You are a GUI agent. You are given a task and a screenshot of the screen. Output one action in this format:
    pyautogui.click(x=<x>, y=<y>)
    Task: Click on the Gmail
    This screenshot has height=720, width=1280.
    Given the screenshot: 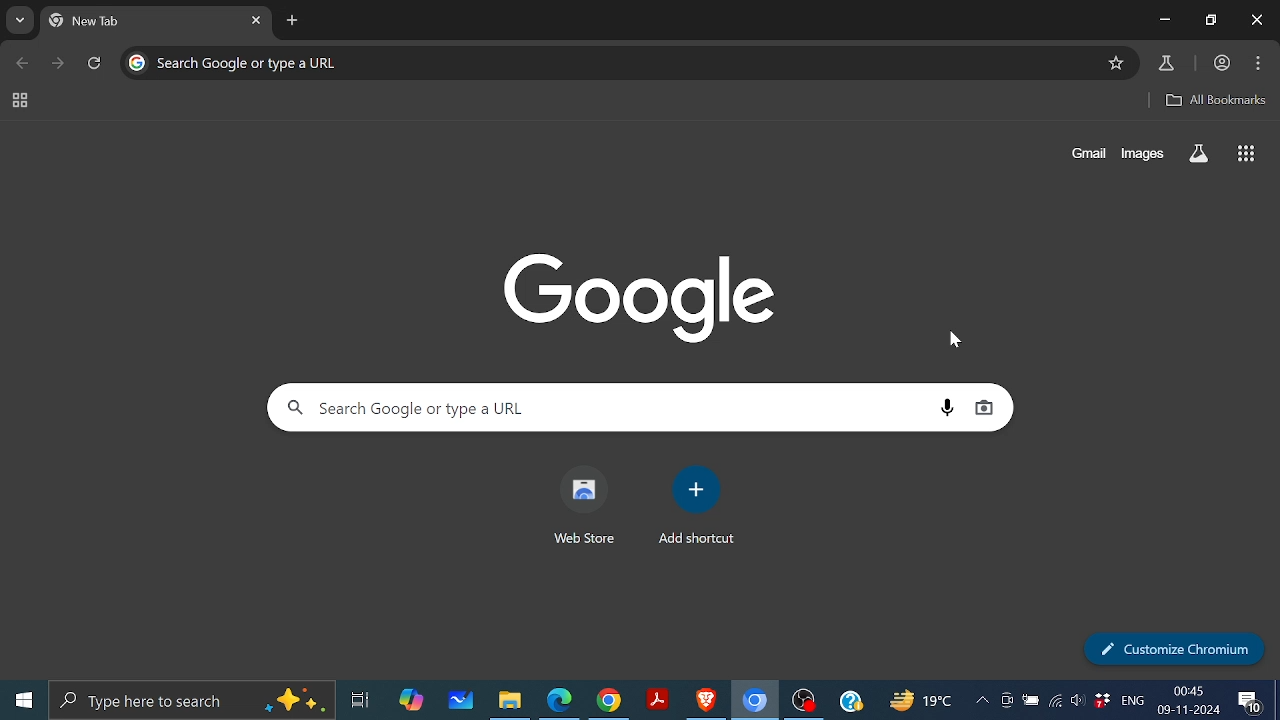 What is the action you would take?
    pyautogui.click(x=1087, y=154)
    